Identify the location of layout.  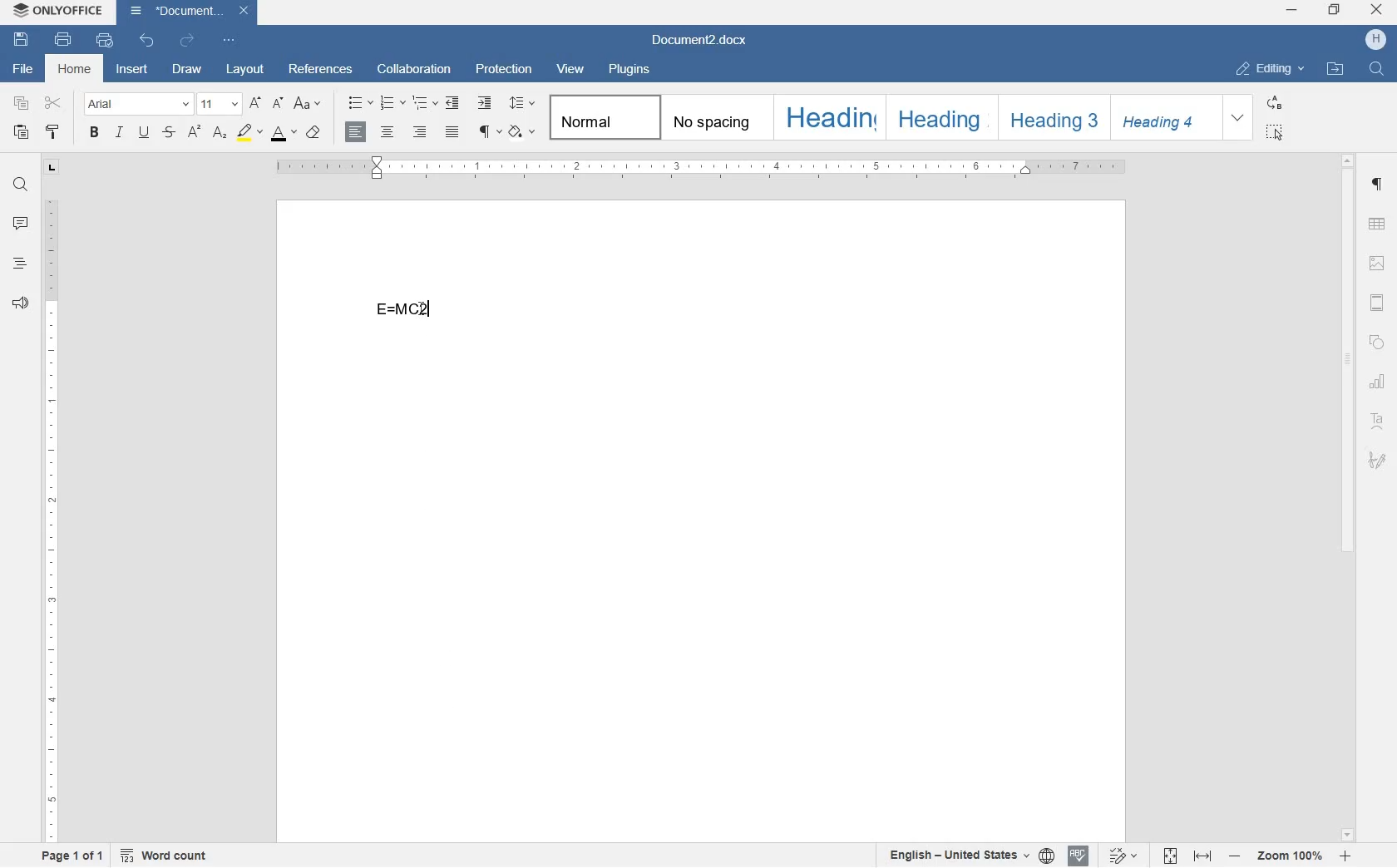
(244, 71).